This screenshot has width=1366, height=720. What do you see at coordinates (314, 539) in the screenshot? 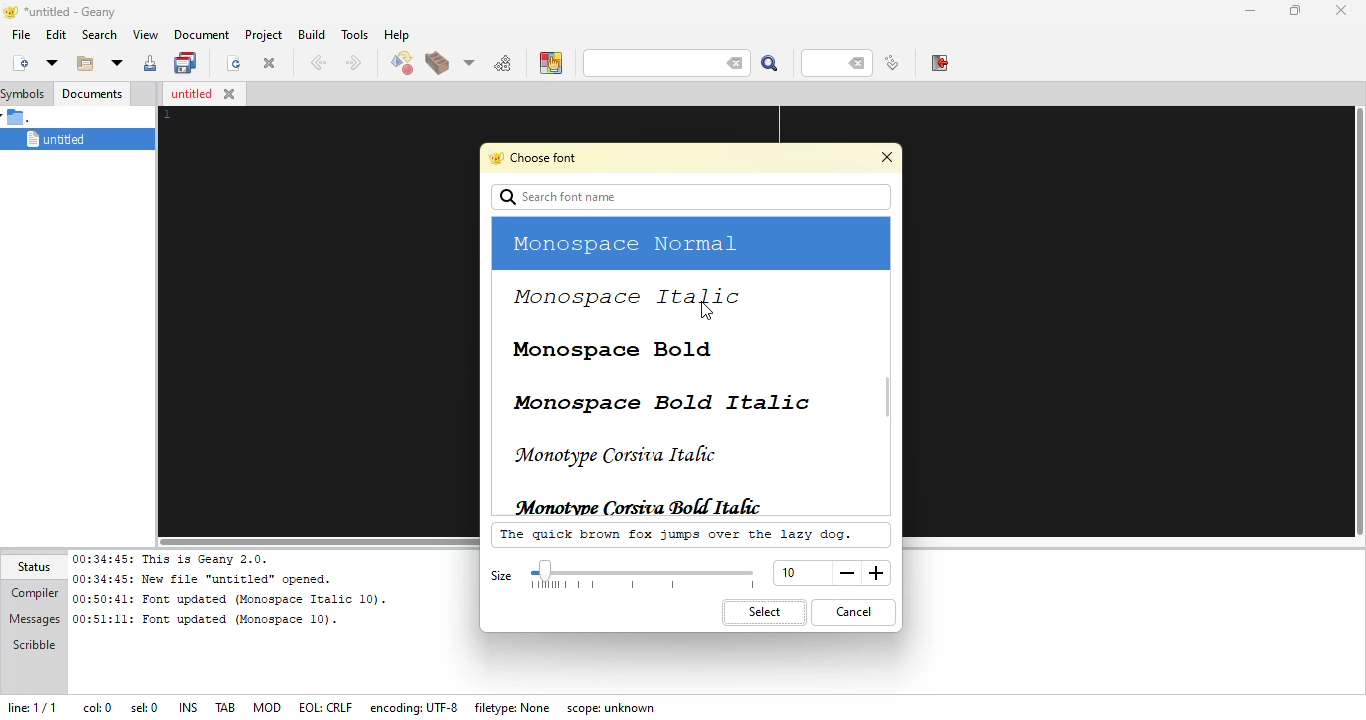
I see `horizontal scroll bar` at bounding box center [314, 539].